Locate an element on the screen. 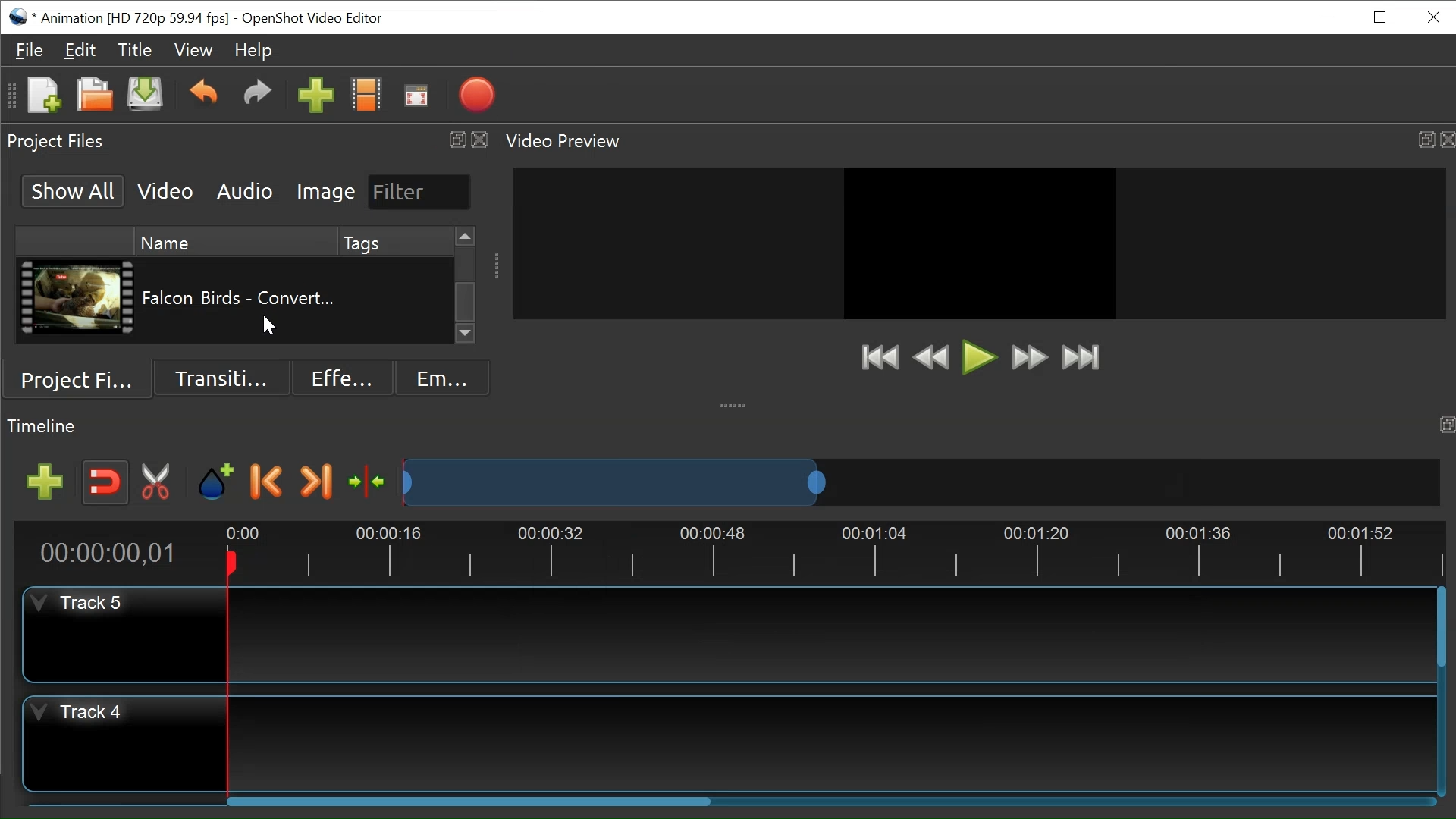 The width and height of the screenshot is (1456, 819). Horizontal Scroll bar is located at coordinates (470, 800).